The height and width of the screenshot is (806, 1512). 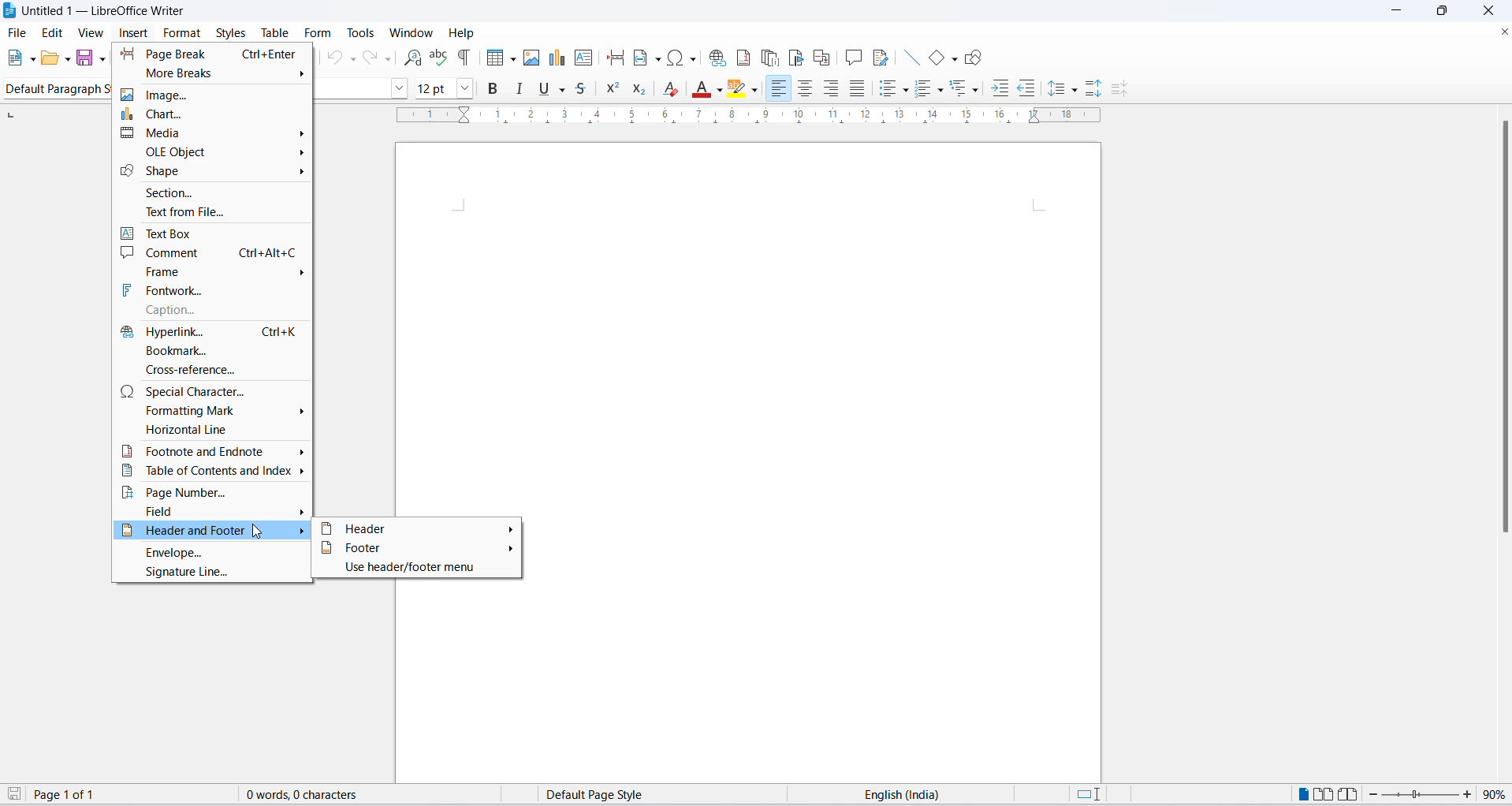 I want to click on file, so click(x=18, y=32).